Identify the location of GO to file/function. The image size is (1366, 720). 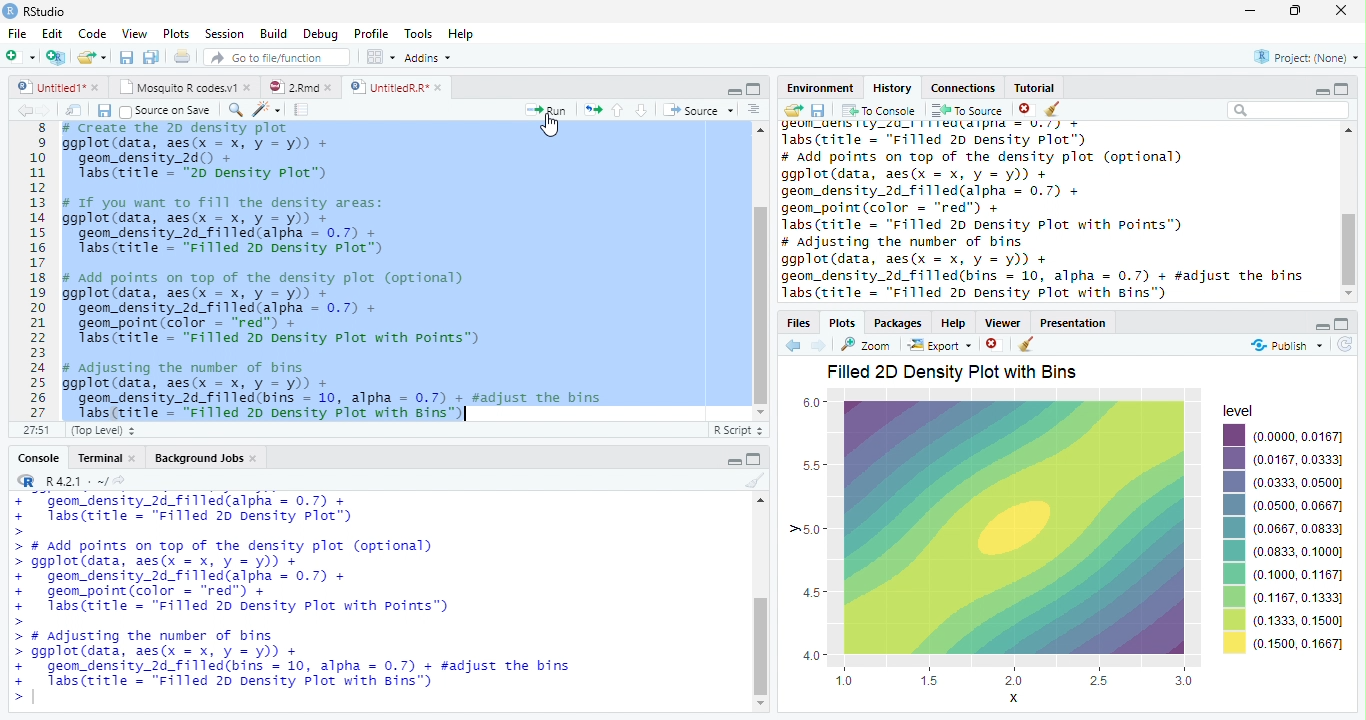
(273, 57).